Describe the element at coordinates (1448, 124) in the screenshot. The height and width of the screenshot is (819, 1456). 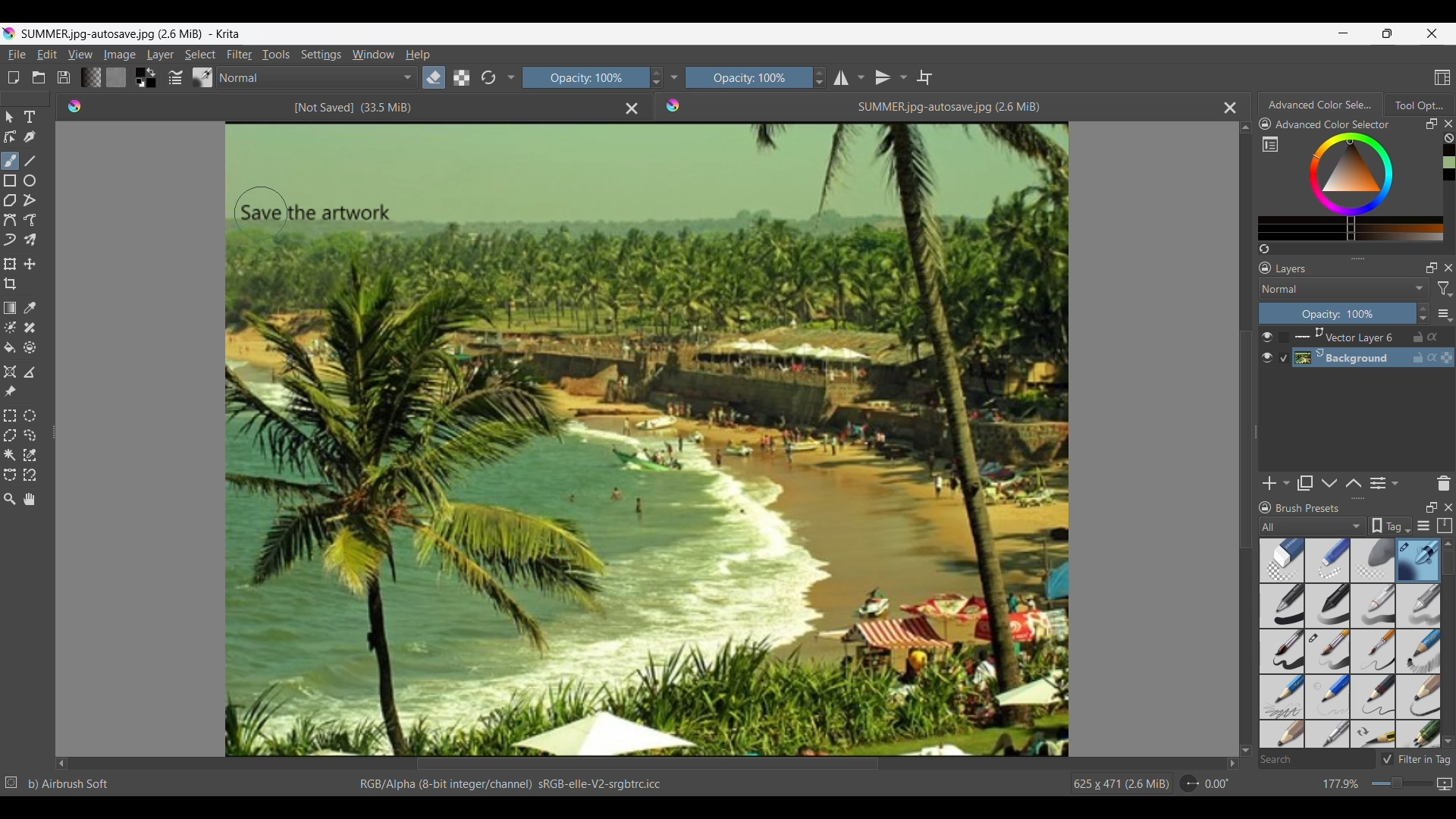
I see `Close color panel` at that location.